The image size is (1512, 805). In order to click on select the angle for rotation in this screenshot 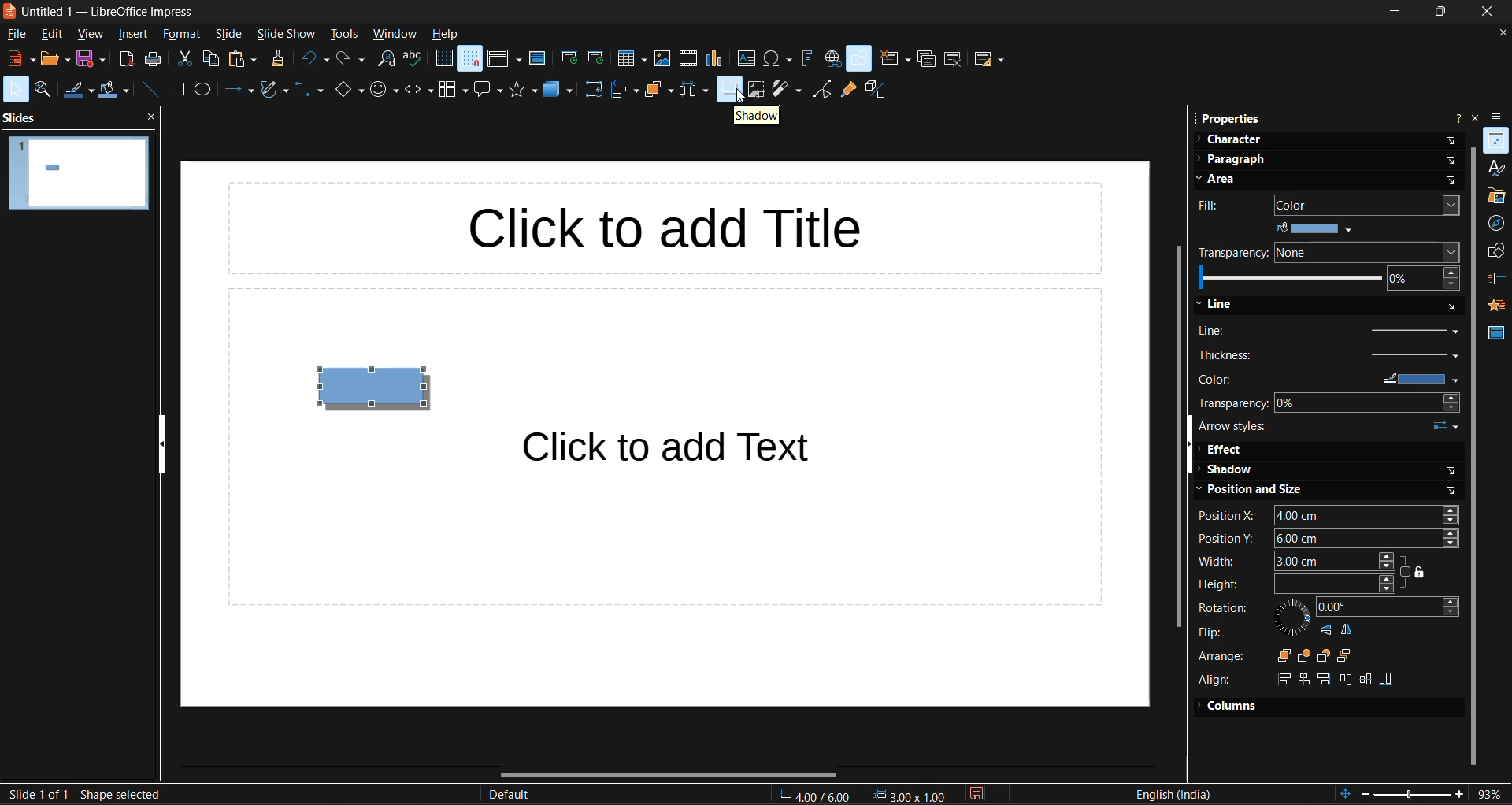, I will do `click(1387, 607)`.